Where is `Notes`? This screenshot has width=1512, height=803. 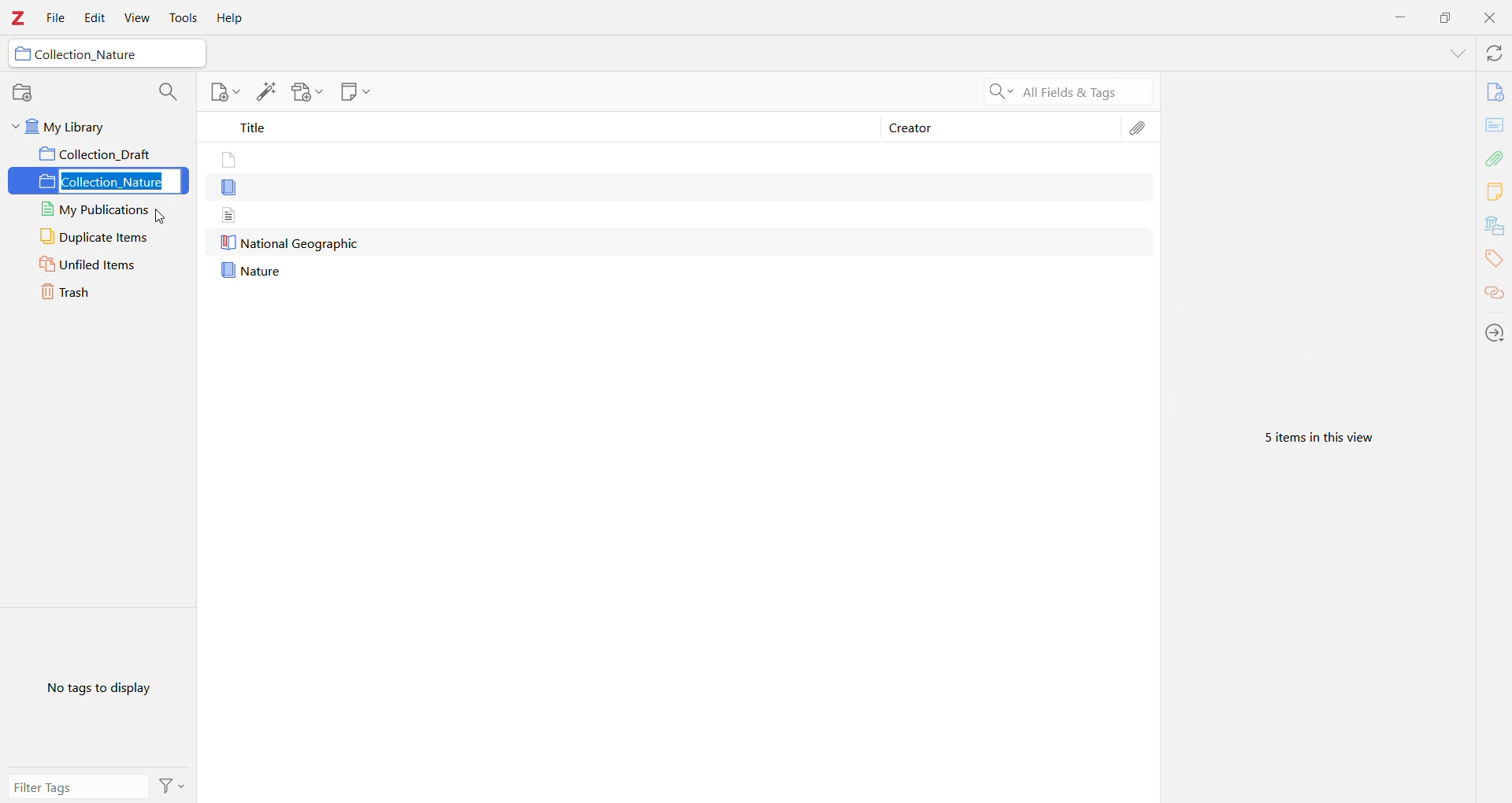 Notes is located at coordinates (1495, 191).